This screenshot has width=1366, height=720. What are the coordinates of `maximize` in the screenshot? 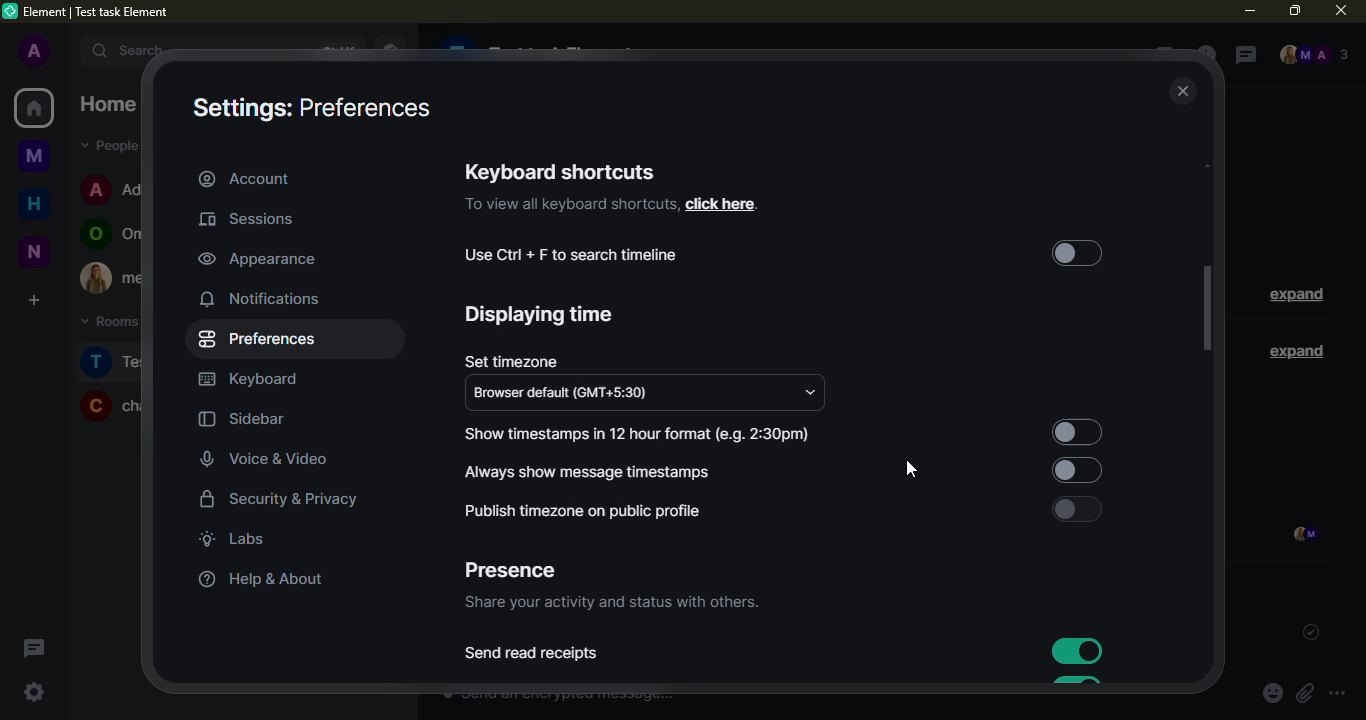 It's located at (1294, 9).